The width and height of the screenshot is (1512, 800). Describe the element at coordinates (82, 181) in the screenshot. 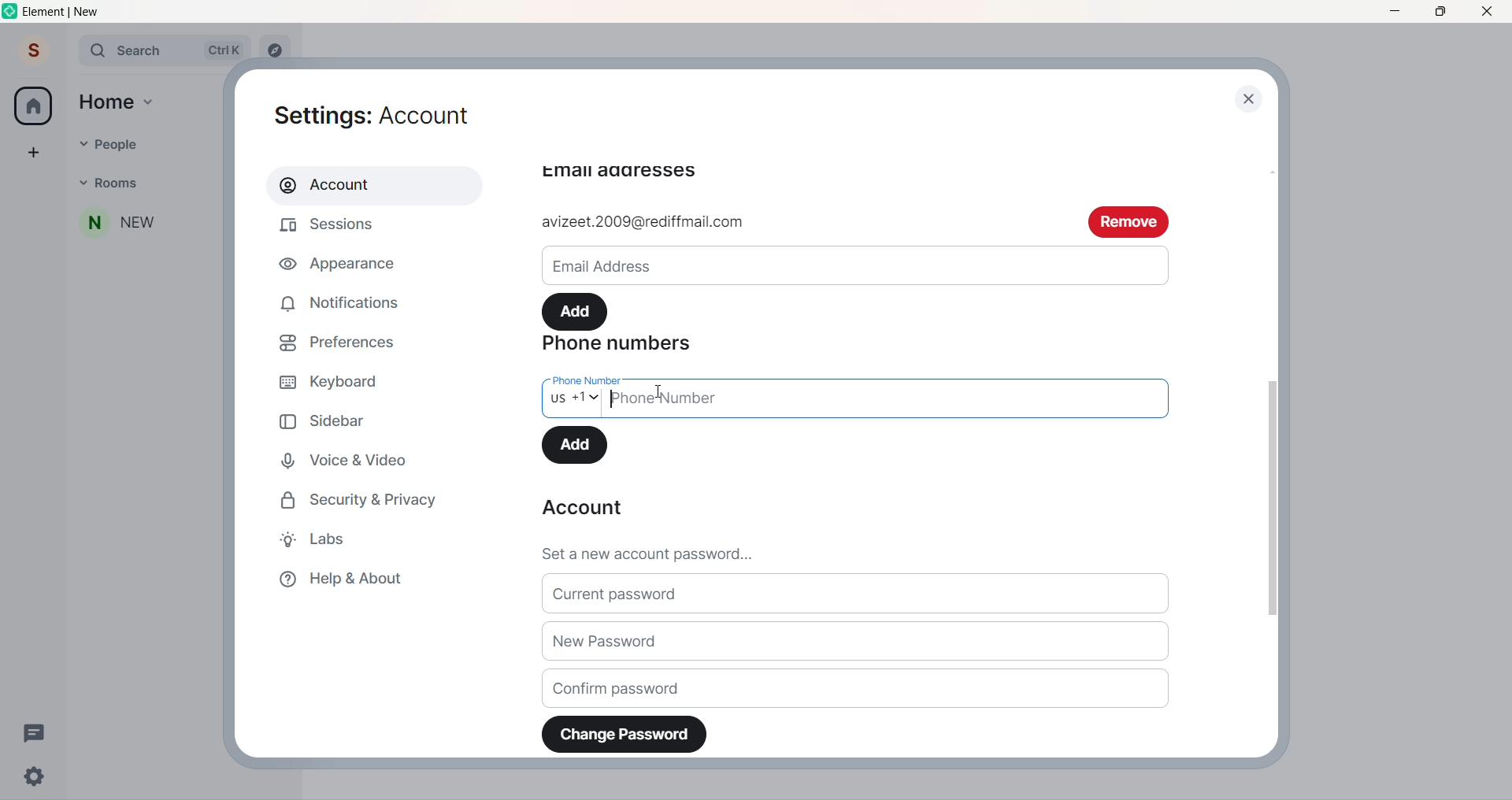

I see `Dropdown` at that location.